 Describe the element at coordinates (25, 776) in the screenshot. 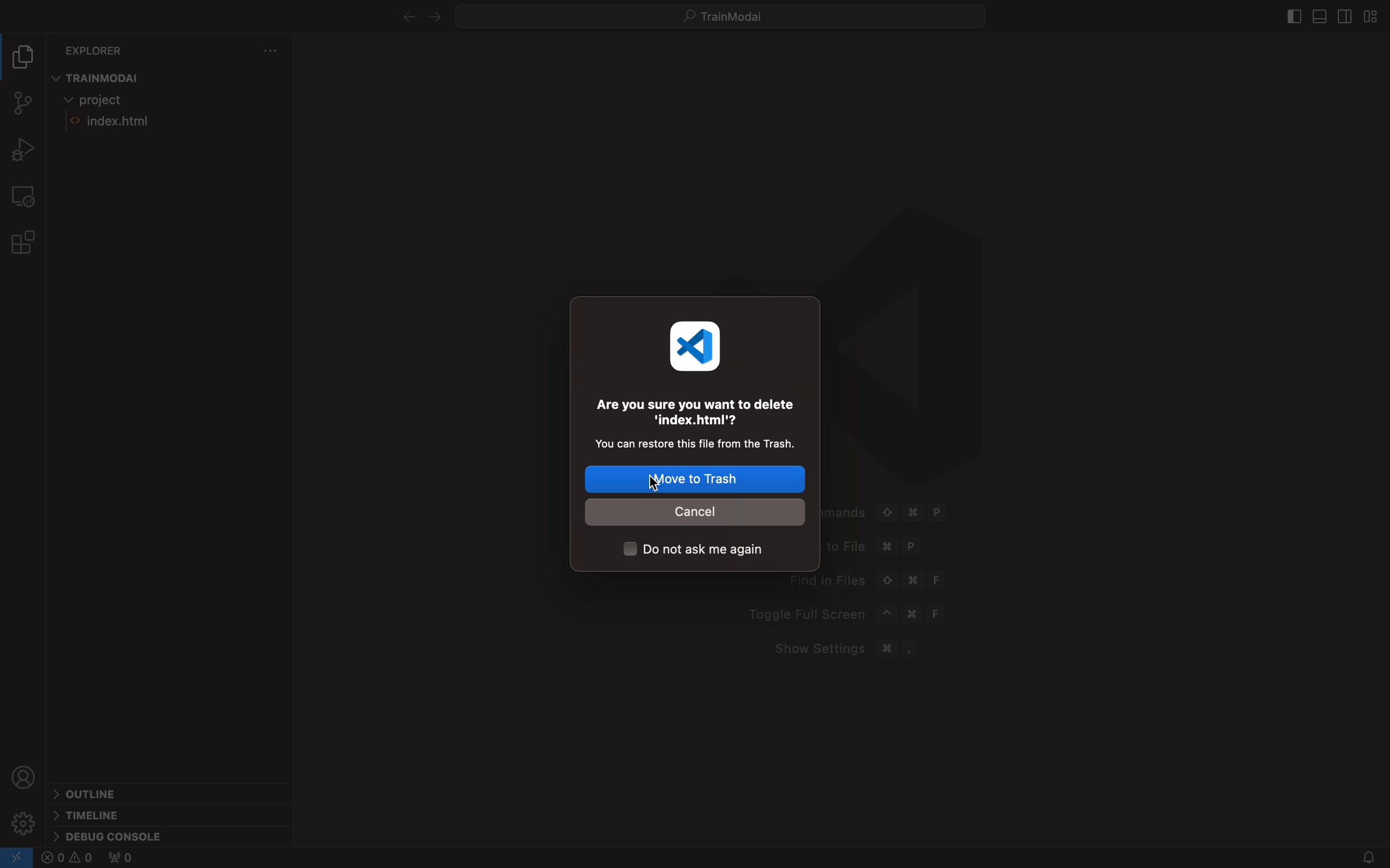

I see `profile` at that location.